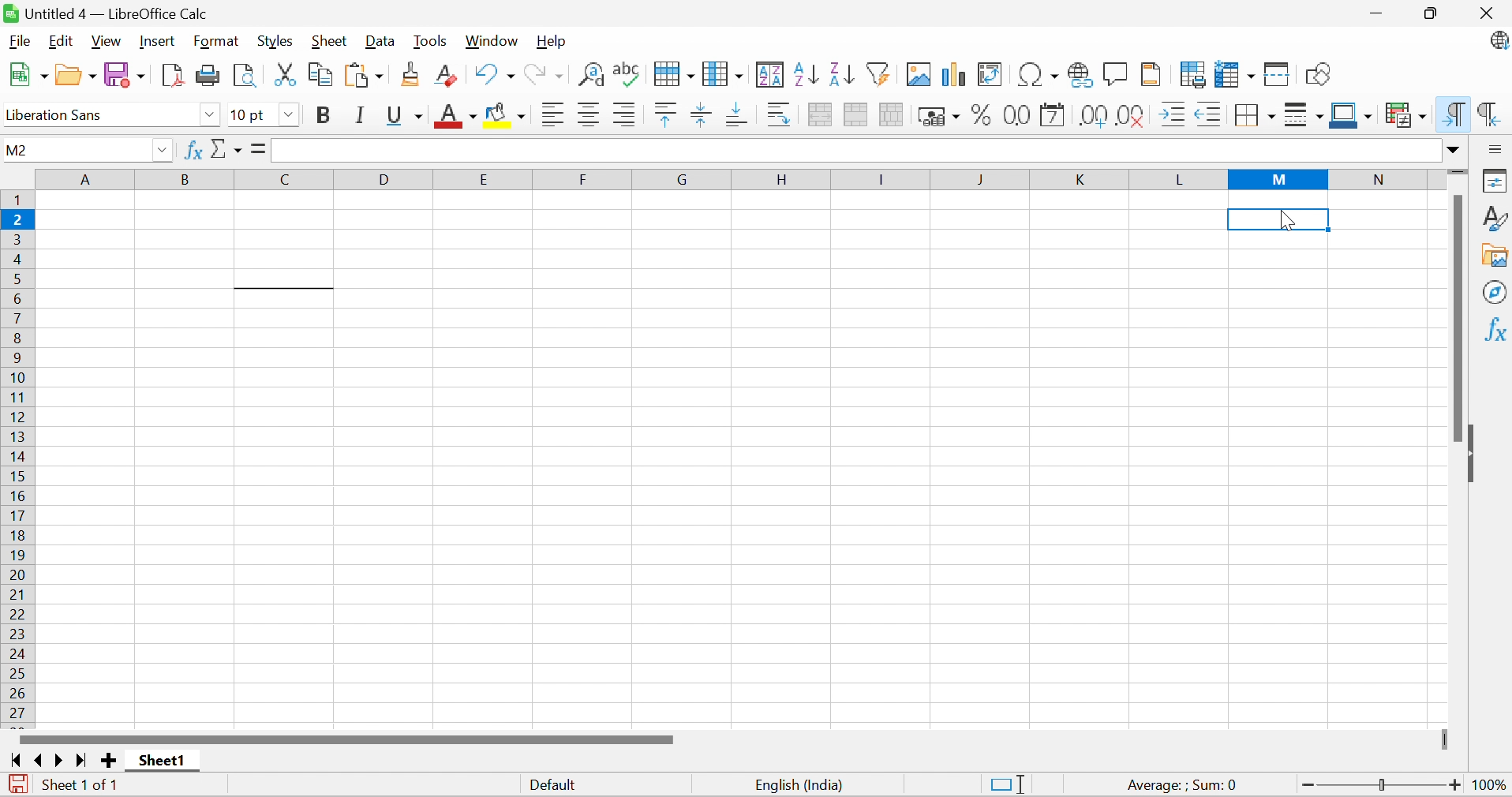 This screenshot has height=797, width=1512. What do you see at coordinates (1039, 74) in the screenshot?
I see `Insert special characters` at bounding box center [1039, 74].